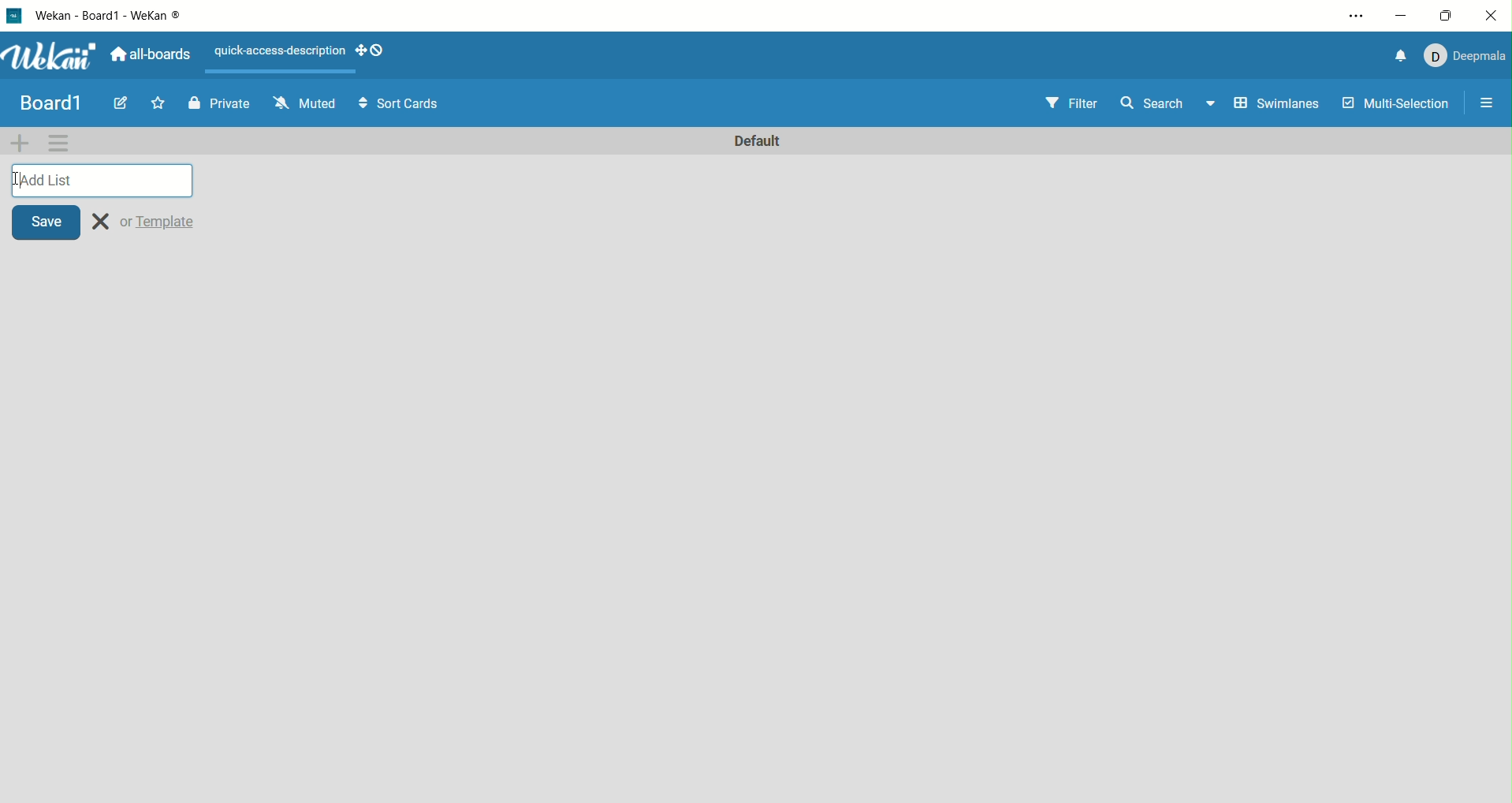 The image size is (1512, 803). What do you see at coordinates (227, 105) in the screenshot?
I see `private` at bounding box center [227, 105].